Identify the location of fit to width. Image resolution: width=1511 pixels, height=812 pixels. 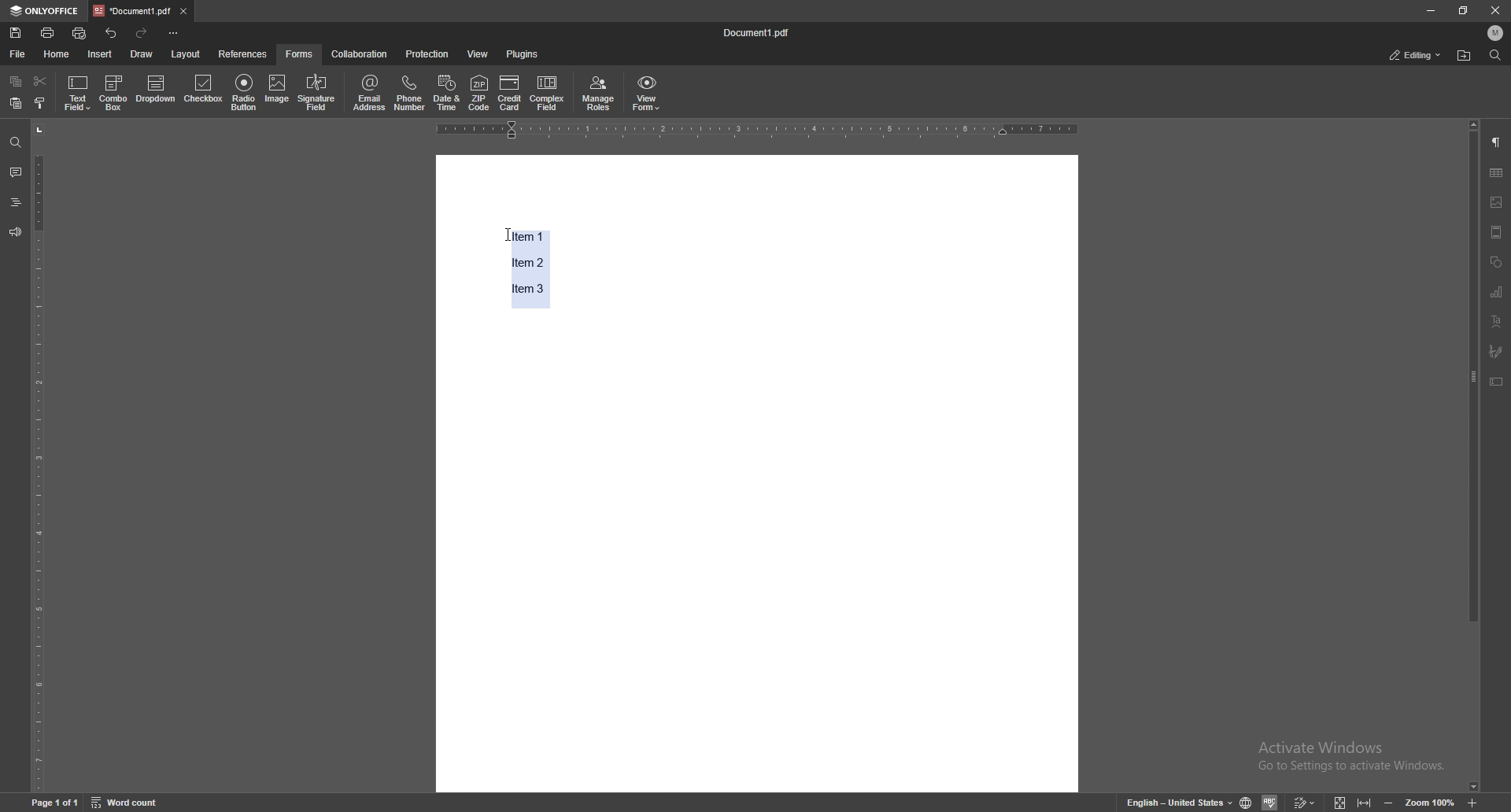
(1362, 800).